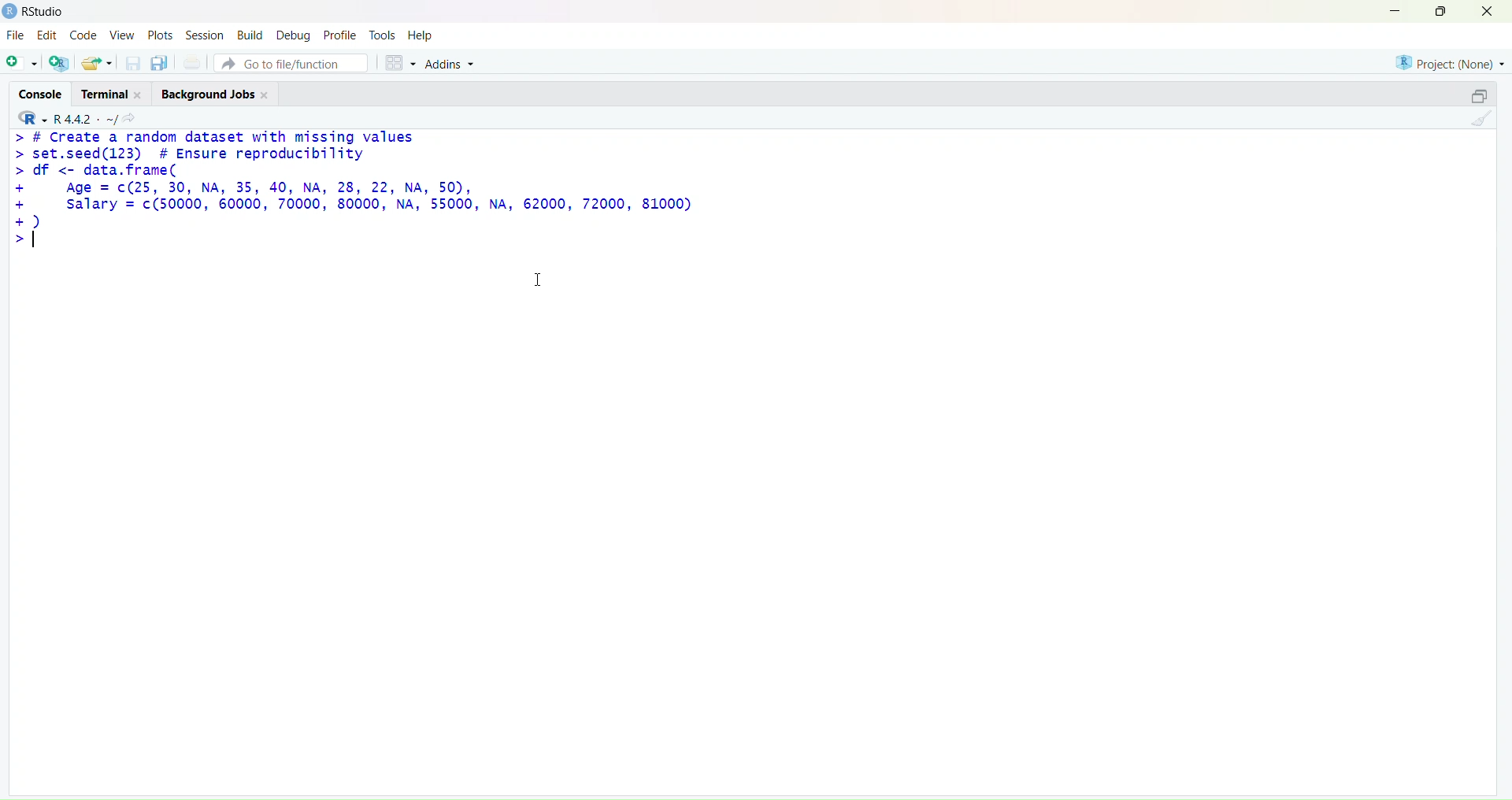  What do you see at coordinates (112, 94) in the screenshot?
I see `terminal` at bounding box center [112, 94].